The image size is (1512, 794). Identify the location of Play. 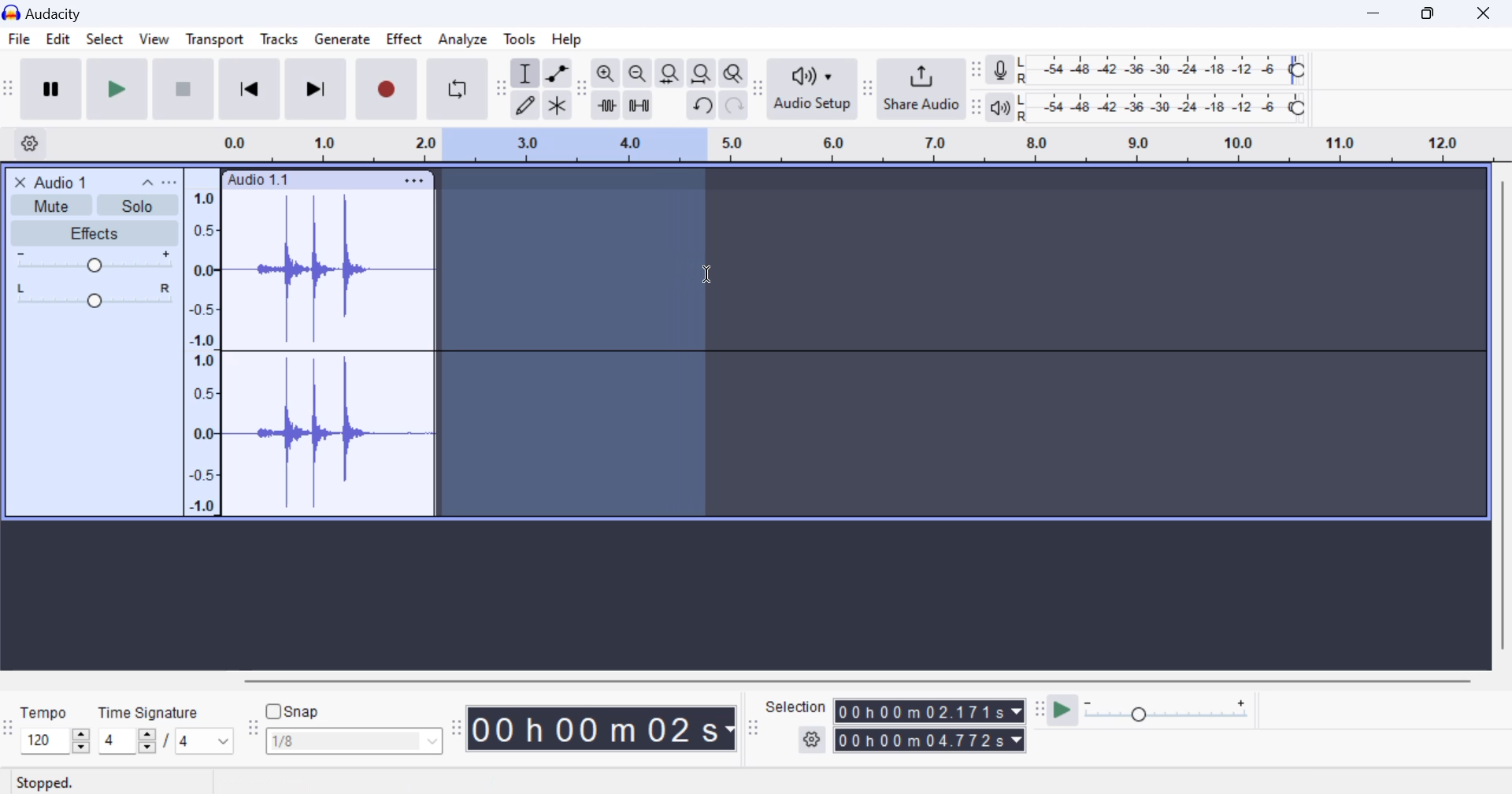
(118, 88).